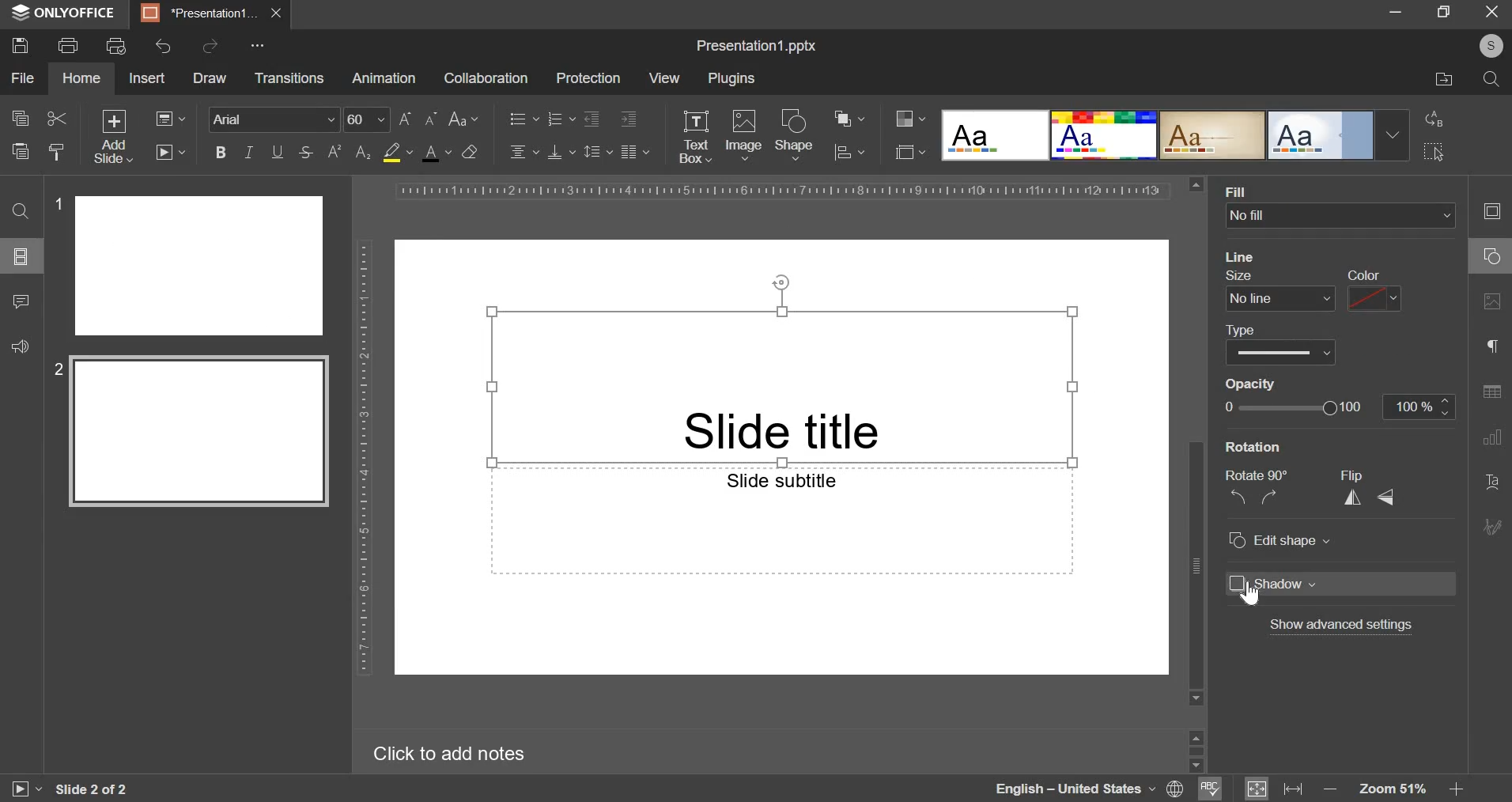 The height and width of the screenshot is (802, 1512). Describe the element at coordinates (1431, 119) in the screenshot. I see `replace` at that location.